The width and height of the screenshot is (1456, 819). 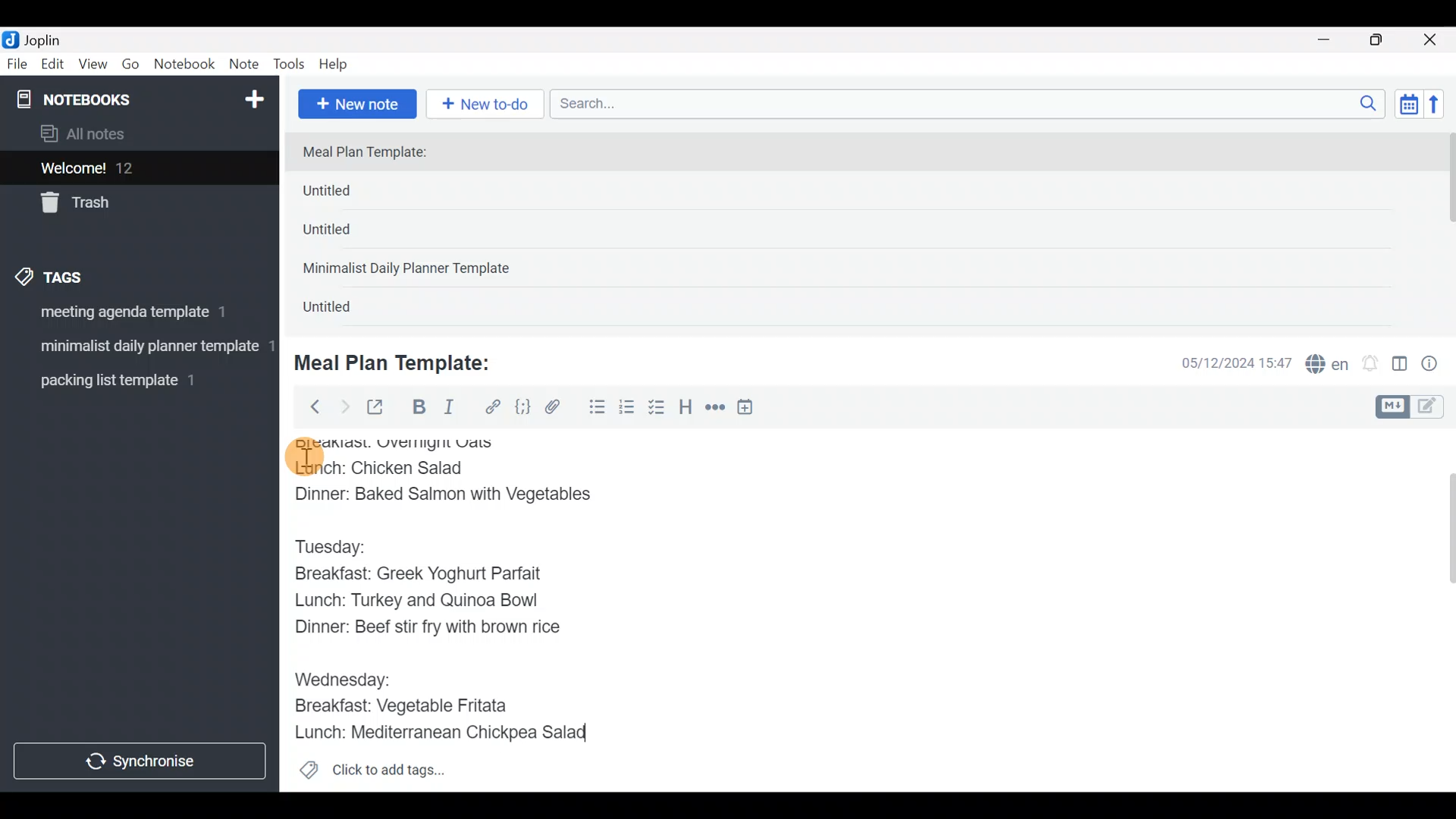 I want to click on text Cursor, so click(x=613, y=734).